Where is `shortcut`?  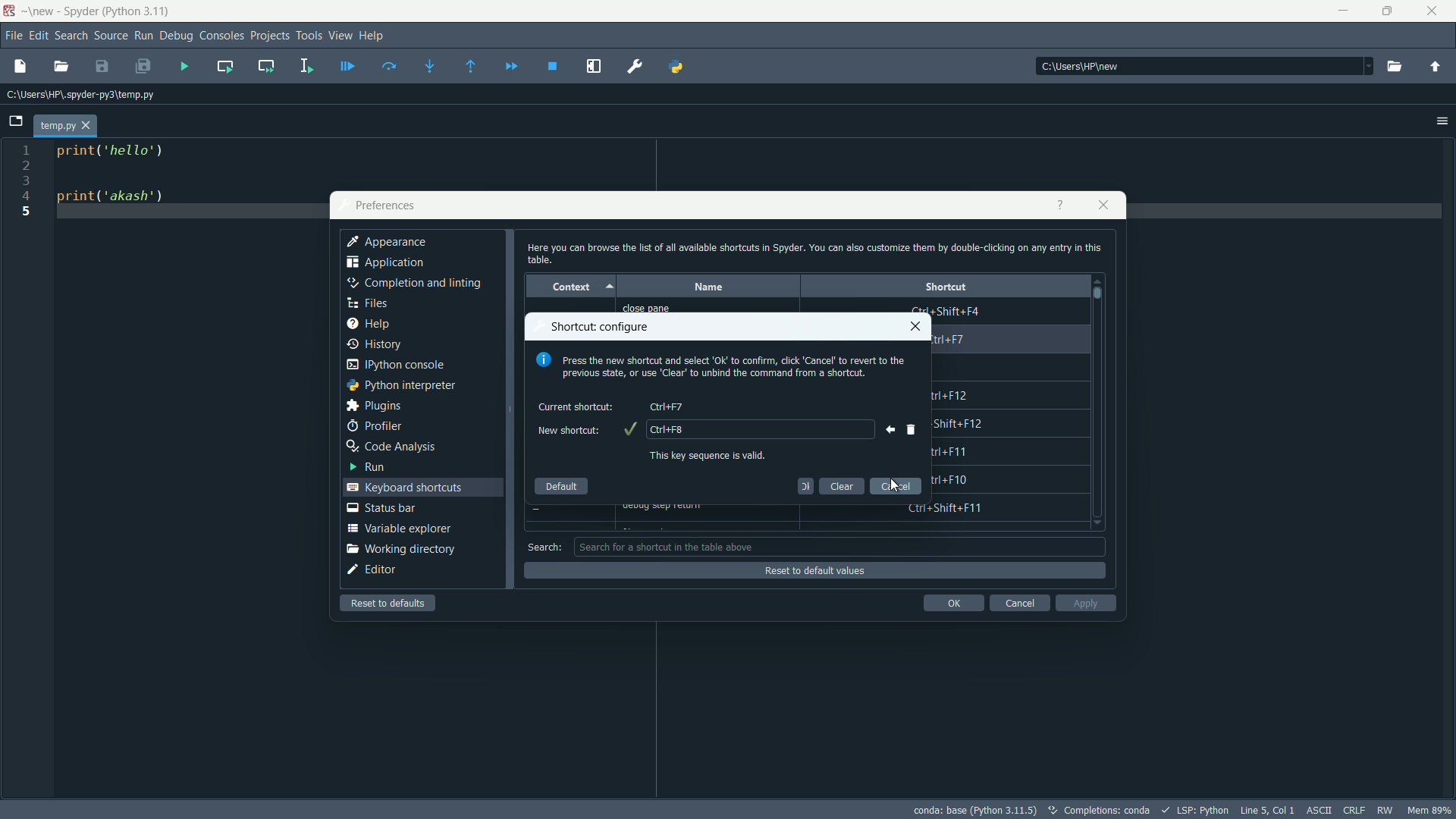
shortcut is located at coordinates (946, 286).